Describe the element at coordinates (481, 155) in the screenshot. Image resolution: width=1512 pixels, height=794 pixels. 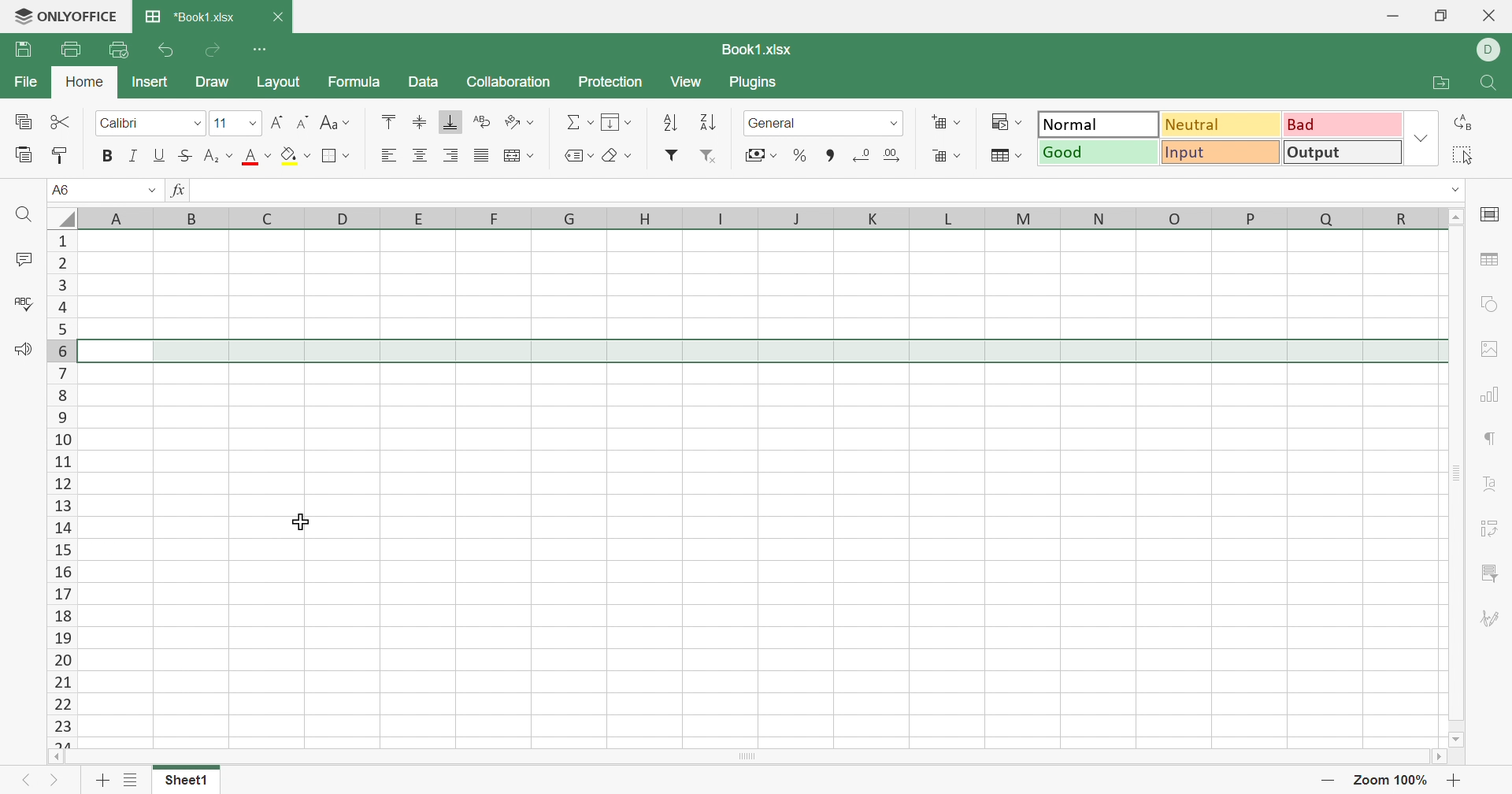
I see `Justified` at that location.